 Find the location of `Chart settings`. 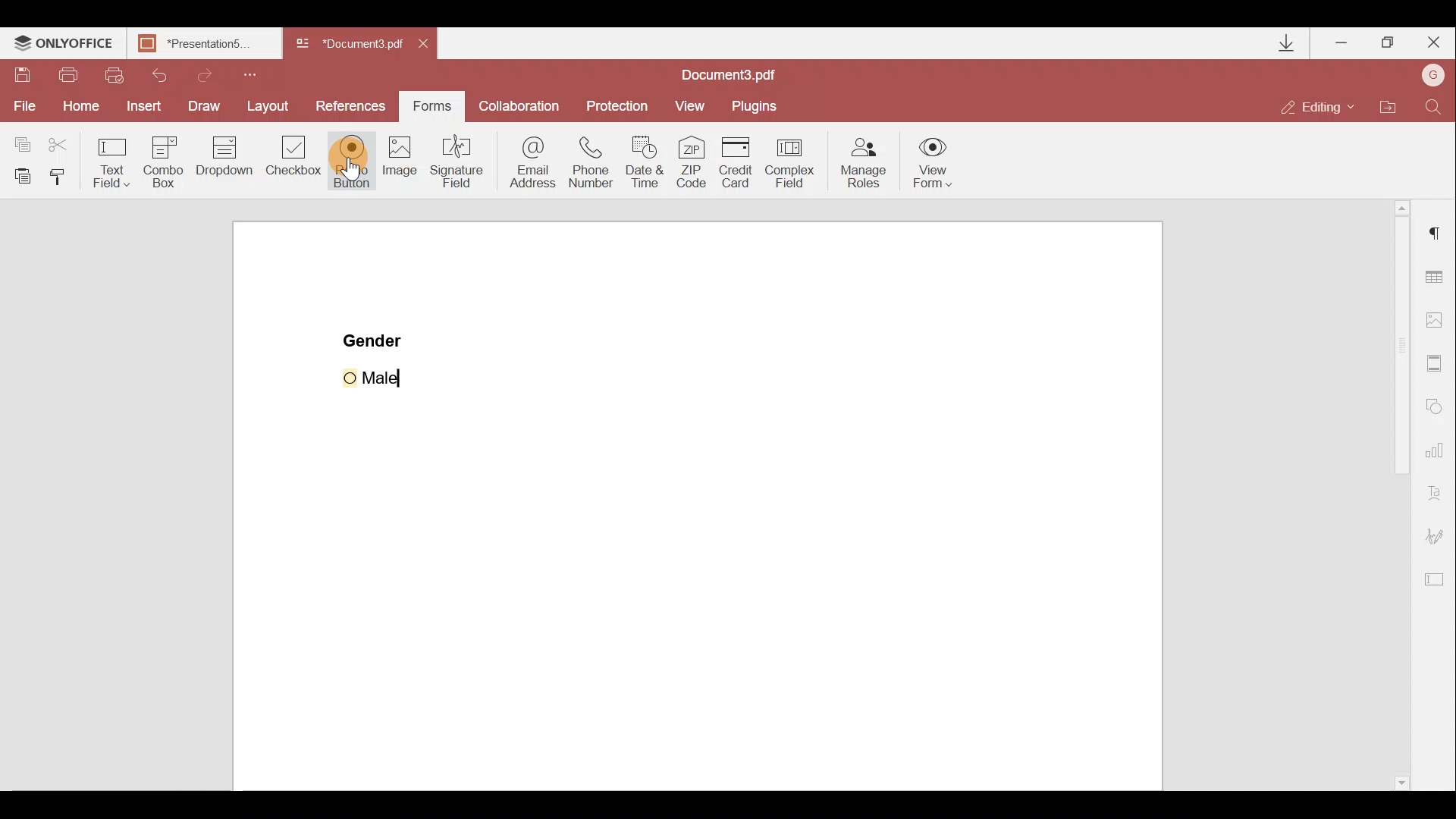

Chart settings is located at coordinates (1437, 456).